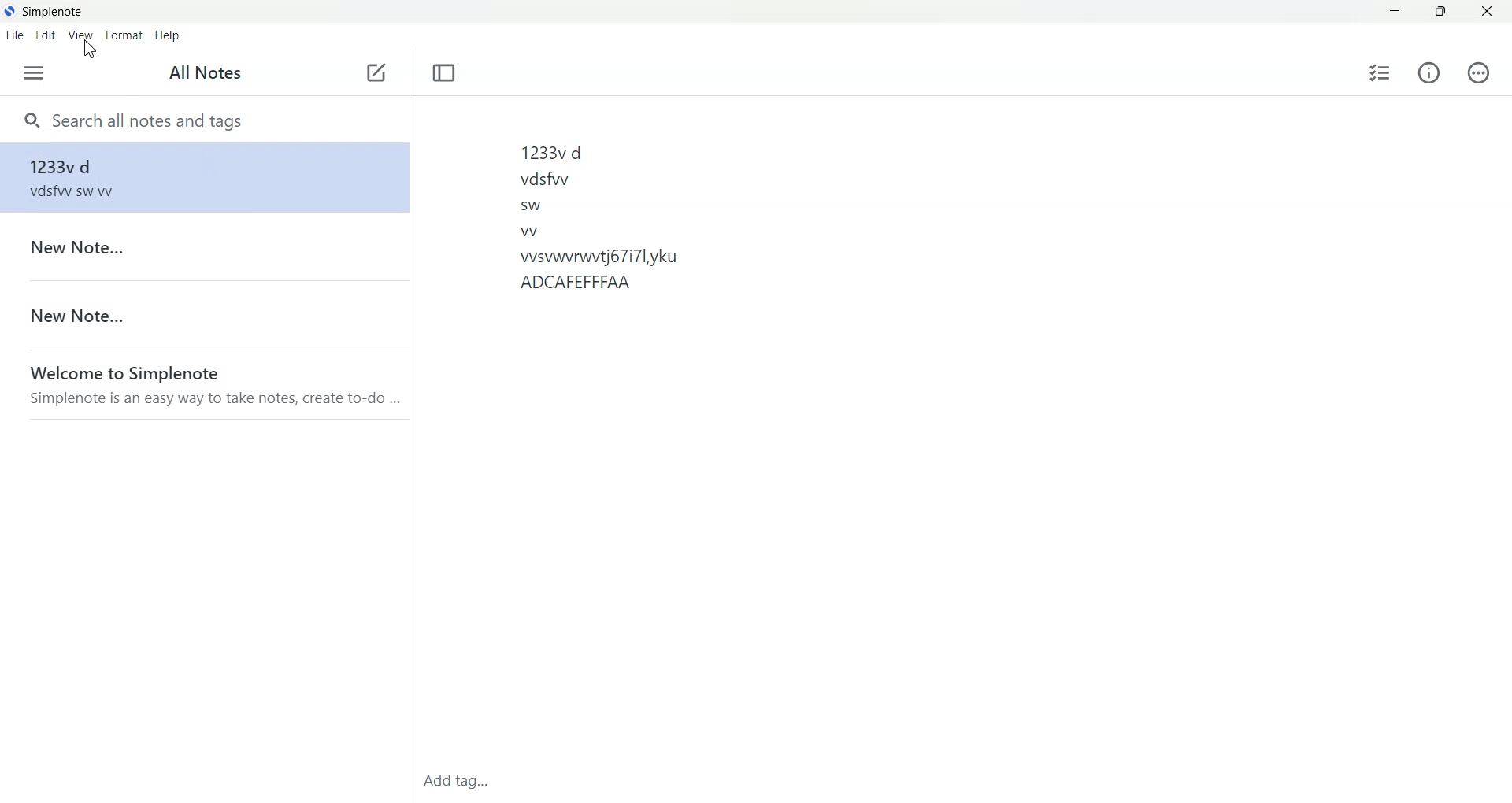 Image resolution: width=1512 pixels, height=803 pixels. Describe the element at coordinates (204, 384) in the screenshot. I see `Note File` at that location.